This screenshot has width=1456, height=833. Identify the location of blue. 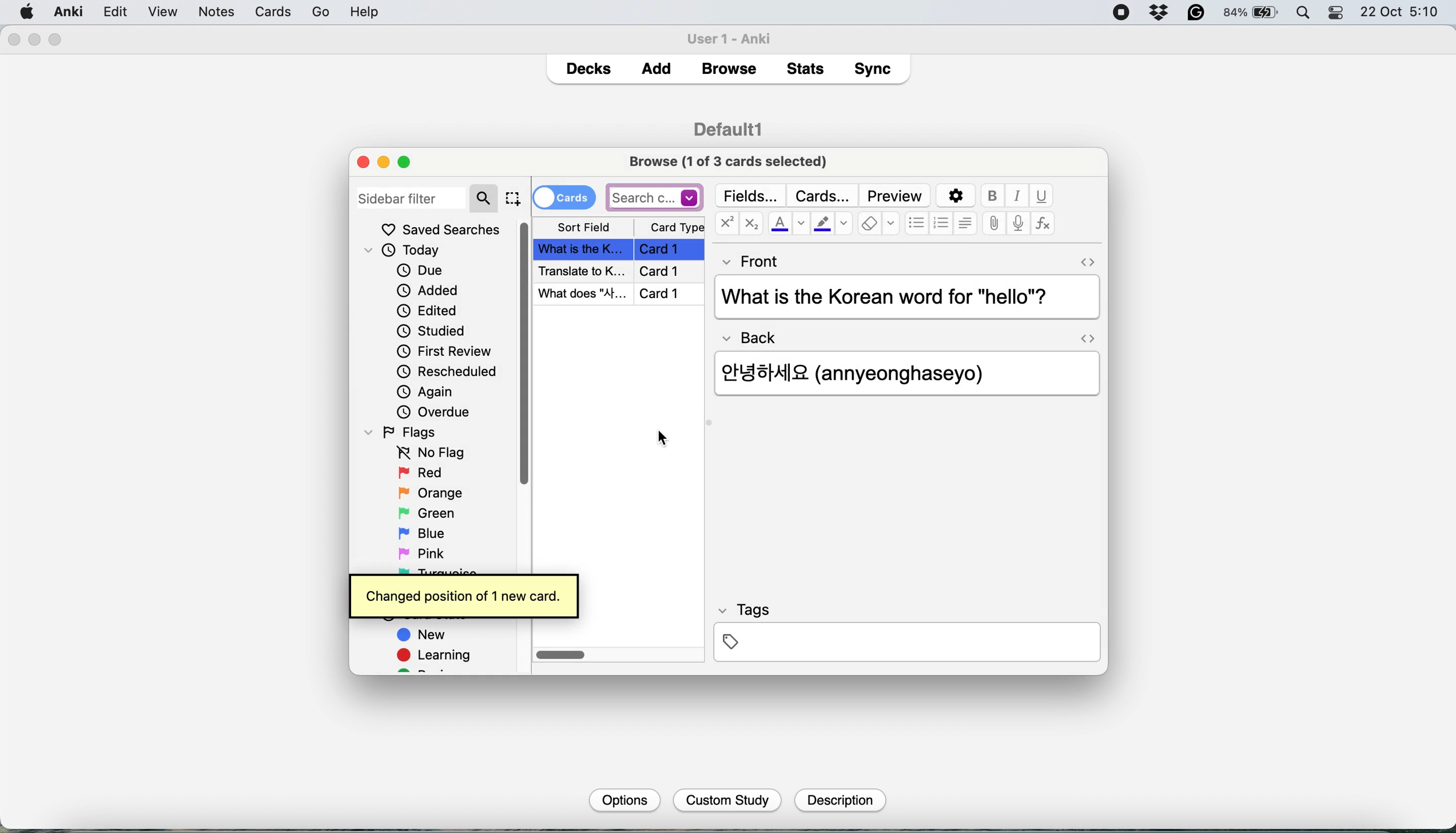
(430, 532).